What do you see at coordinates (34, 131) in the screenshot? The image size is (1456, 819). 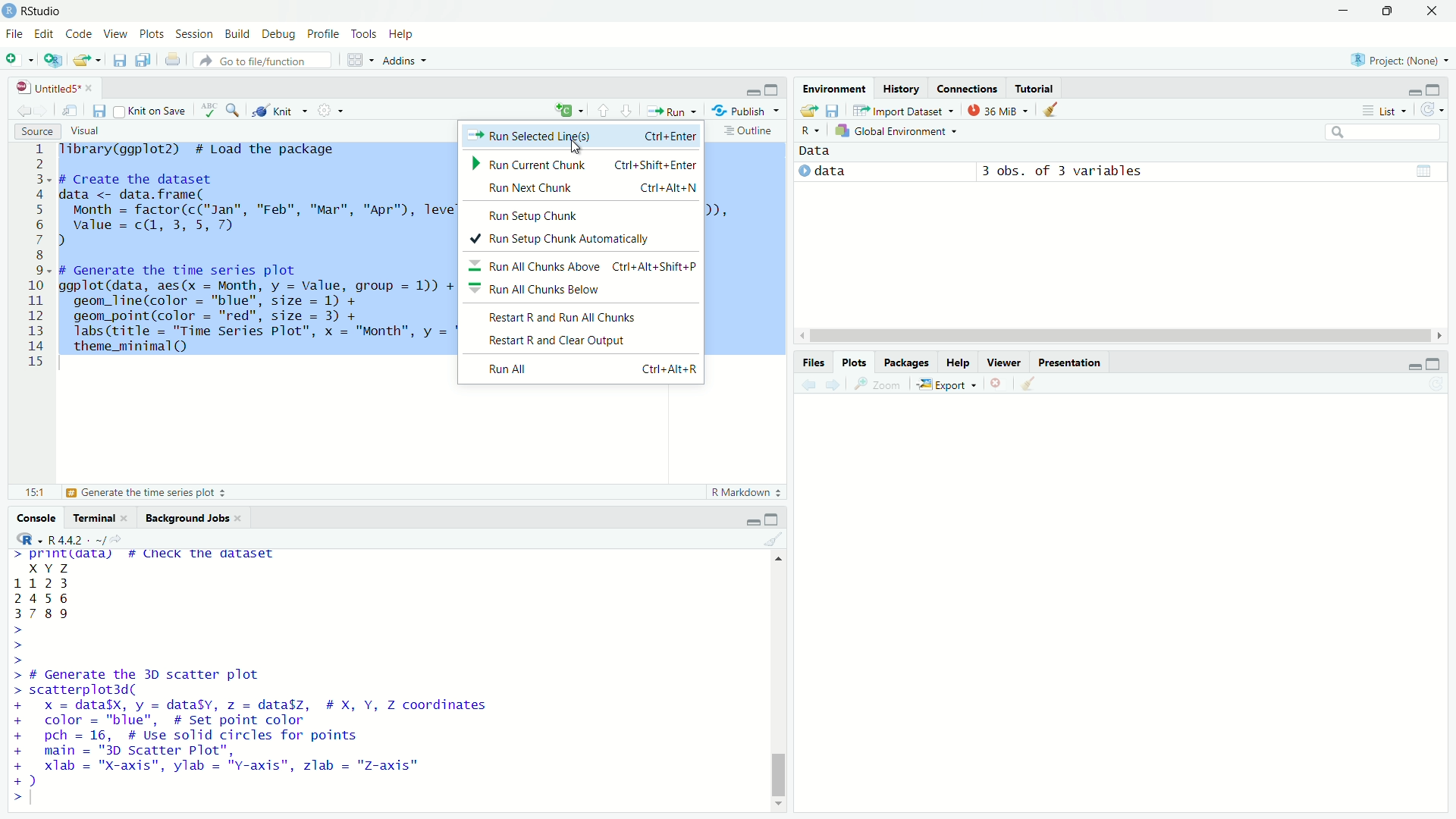 I see `source` at bounding box center [34, 131].